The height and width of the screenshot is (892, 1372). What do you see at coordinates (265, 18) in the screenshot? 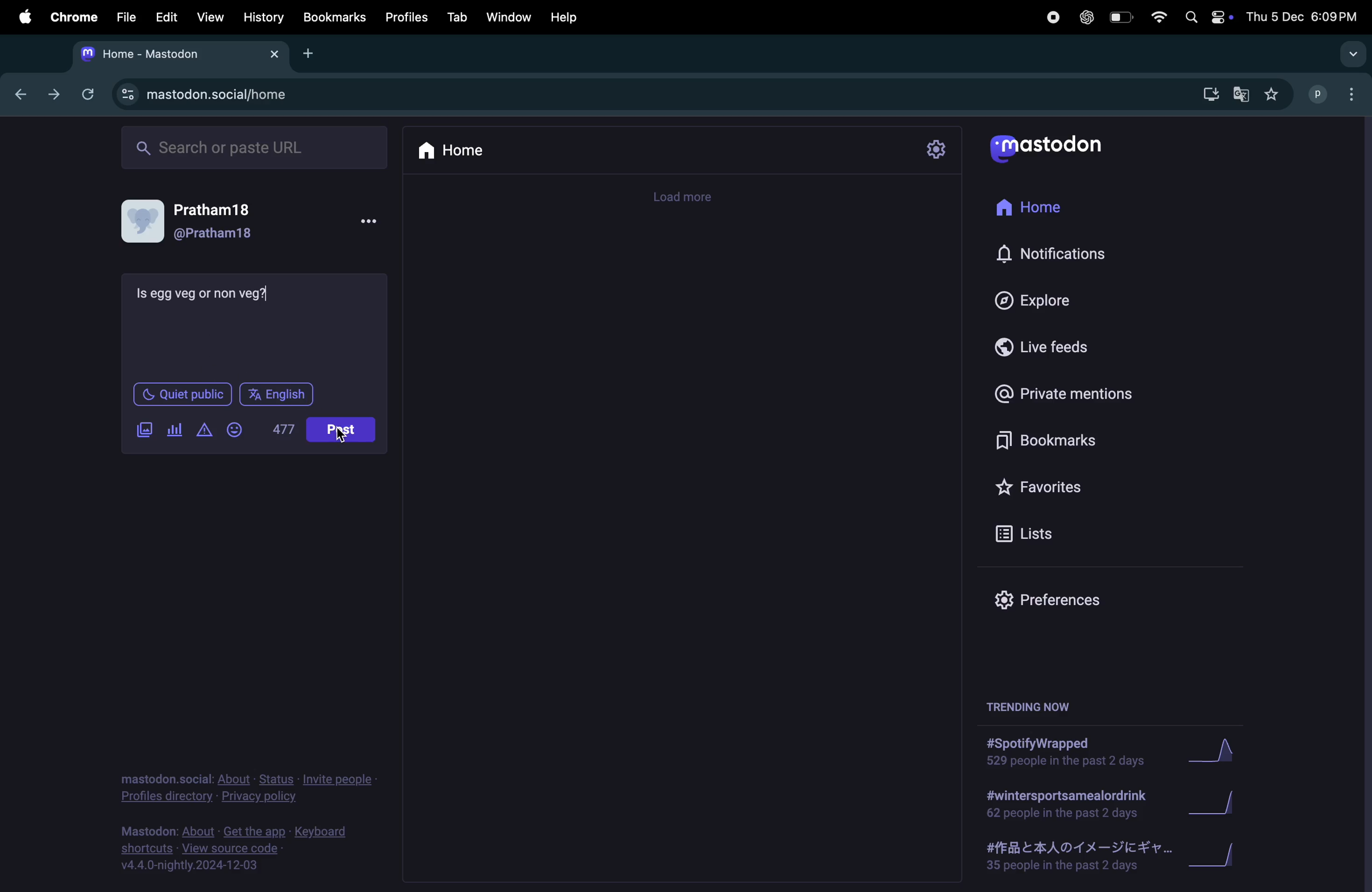
I see `history` at bounding box center [265, 18].